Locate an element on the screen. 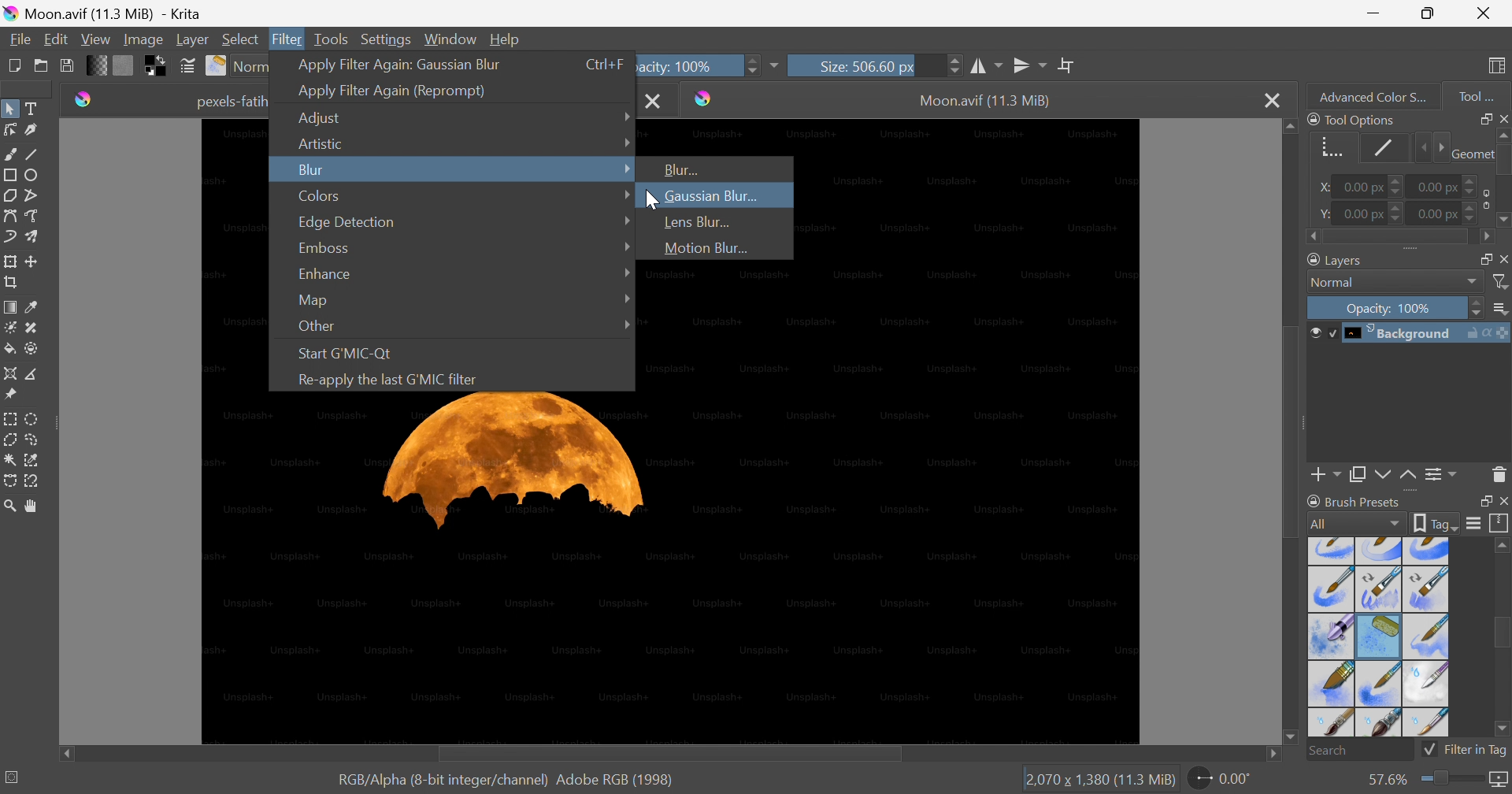 The image size is (1512, 794). RGB/Alpha (8-bit integer/channel) is located at coordinates (439, 781).